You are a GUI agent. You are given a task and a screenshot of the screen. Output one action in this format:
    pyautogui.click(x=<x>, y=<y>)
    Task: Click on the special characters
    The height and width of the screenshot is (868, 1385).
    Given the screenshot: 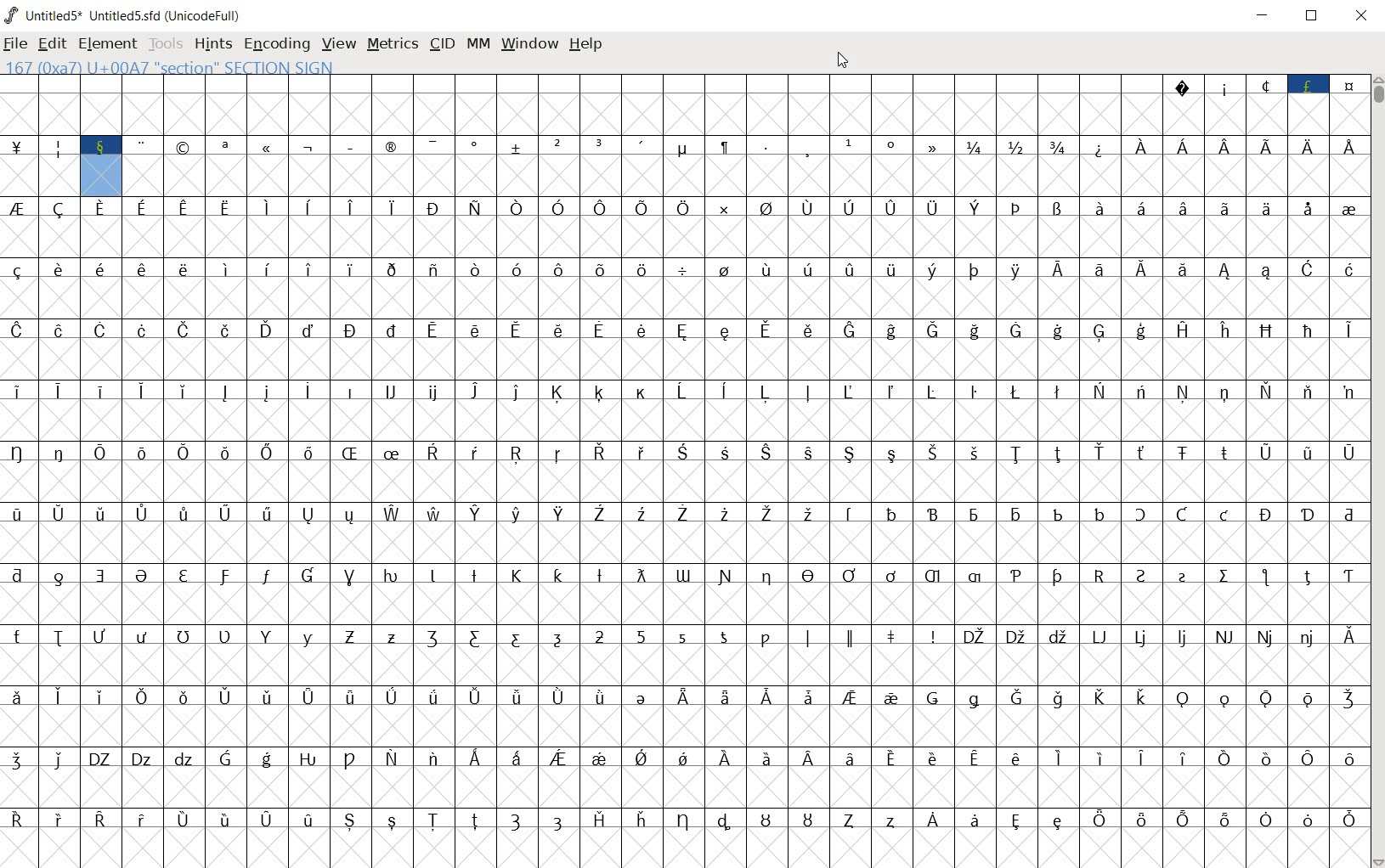 What is the action you would take?
    pyautogui.click(x=228, y=166)
    